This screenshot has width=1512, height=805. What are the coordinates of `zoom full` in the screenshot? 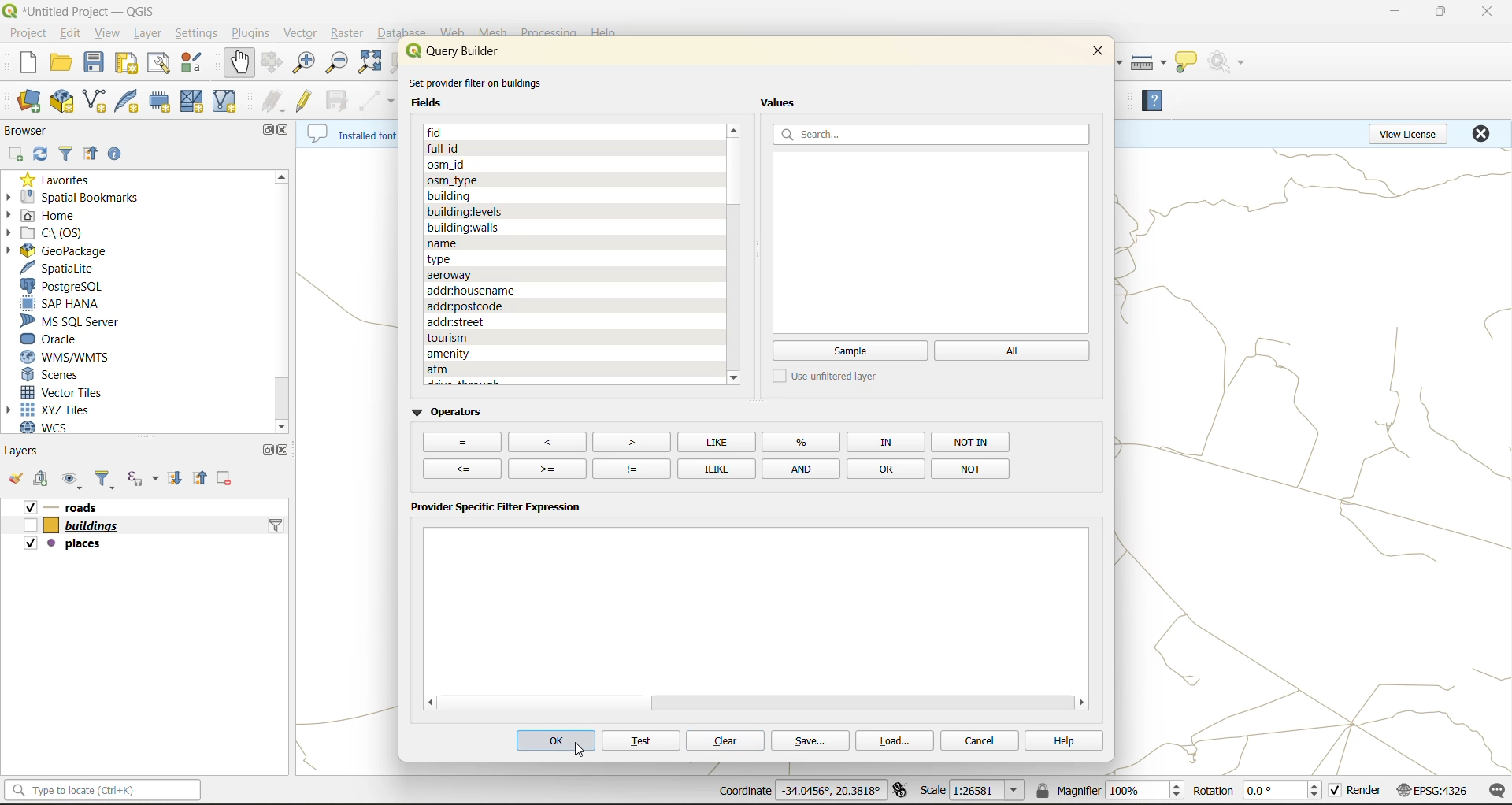 It's located at (372, 62).